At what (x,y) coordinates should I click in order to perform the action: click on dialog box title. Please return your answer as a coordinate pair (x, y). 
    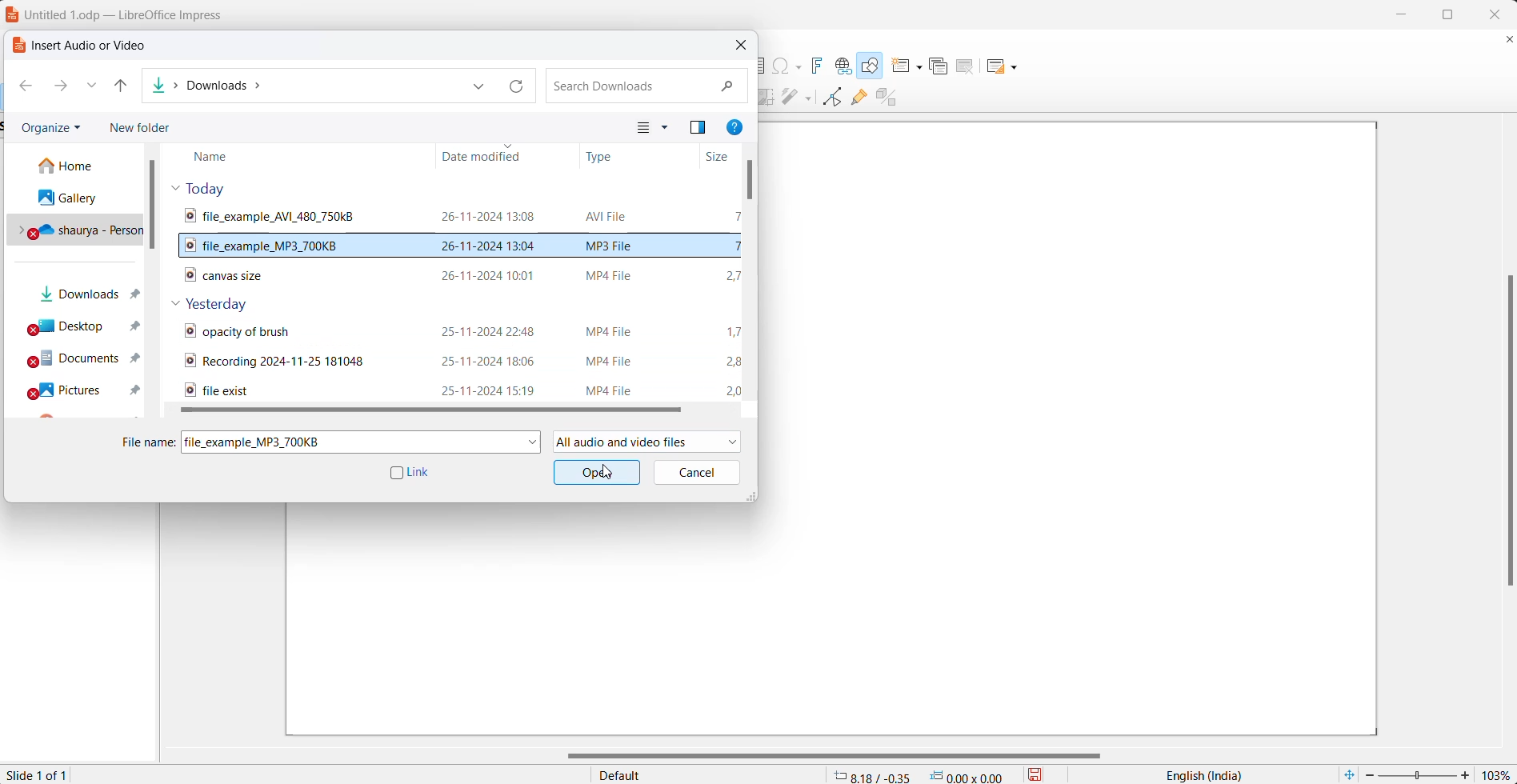
    Looking at the image, I should click on (80, 44).